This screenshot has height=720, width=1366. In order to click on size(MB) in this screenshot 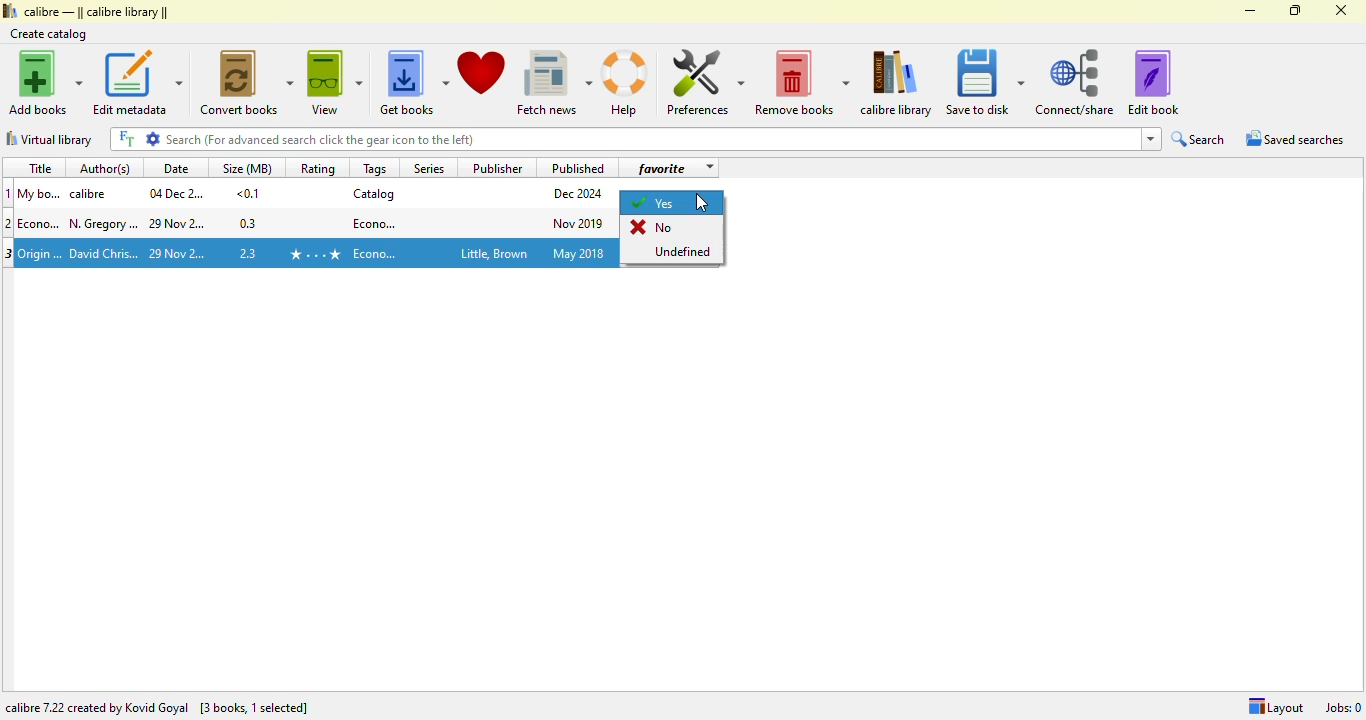, I will do `click(246, 167)`.